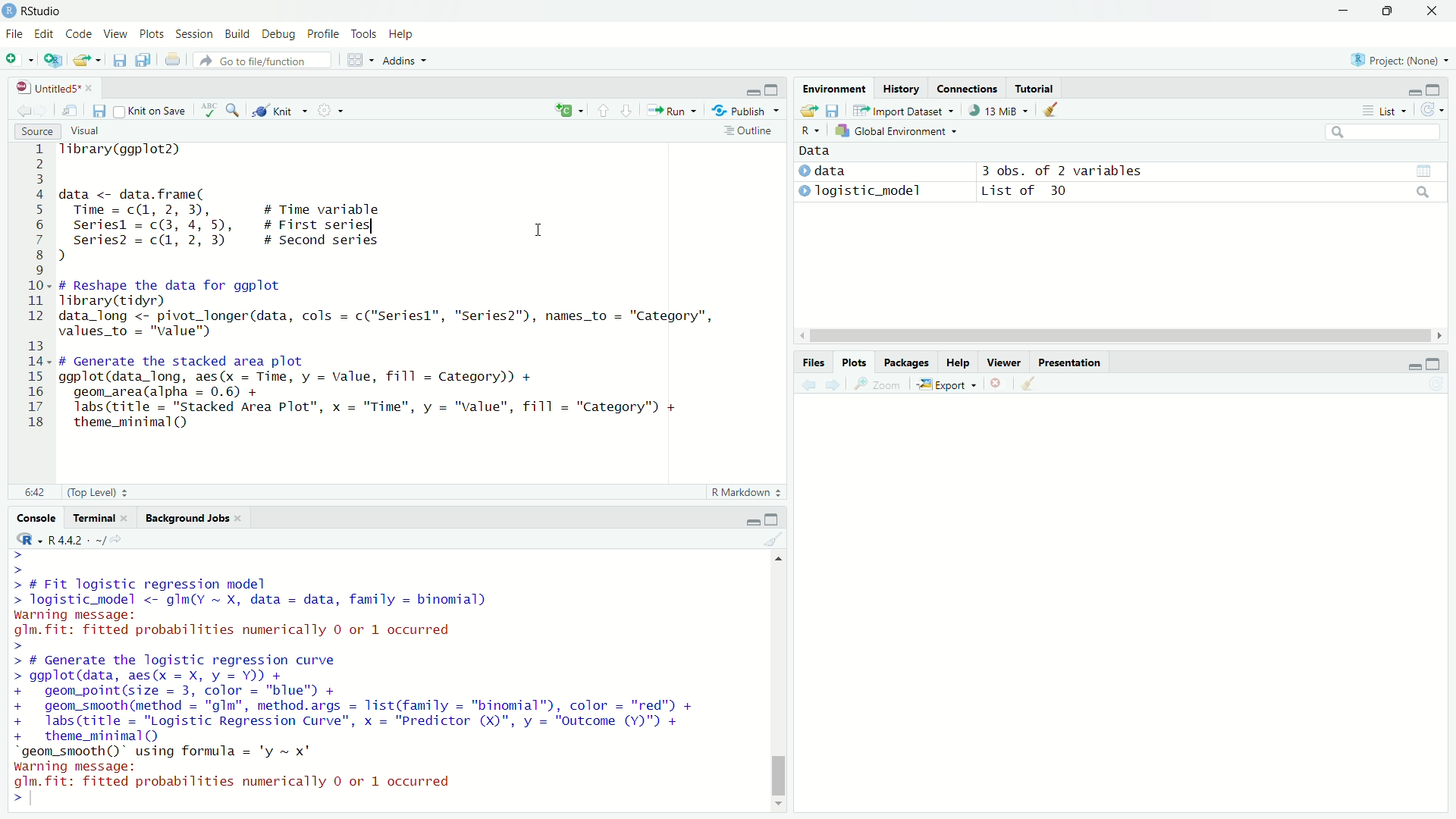  What do you see at coordinates (776, 519) in the screenshot?
I see `maximise` at bounding box center [776, 519].